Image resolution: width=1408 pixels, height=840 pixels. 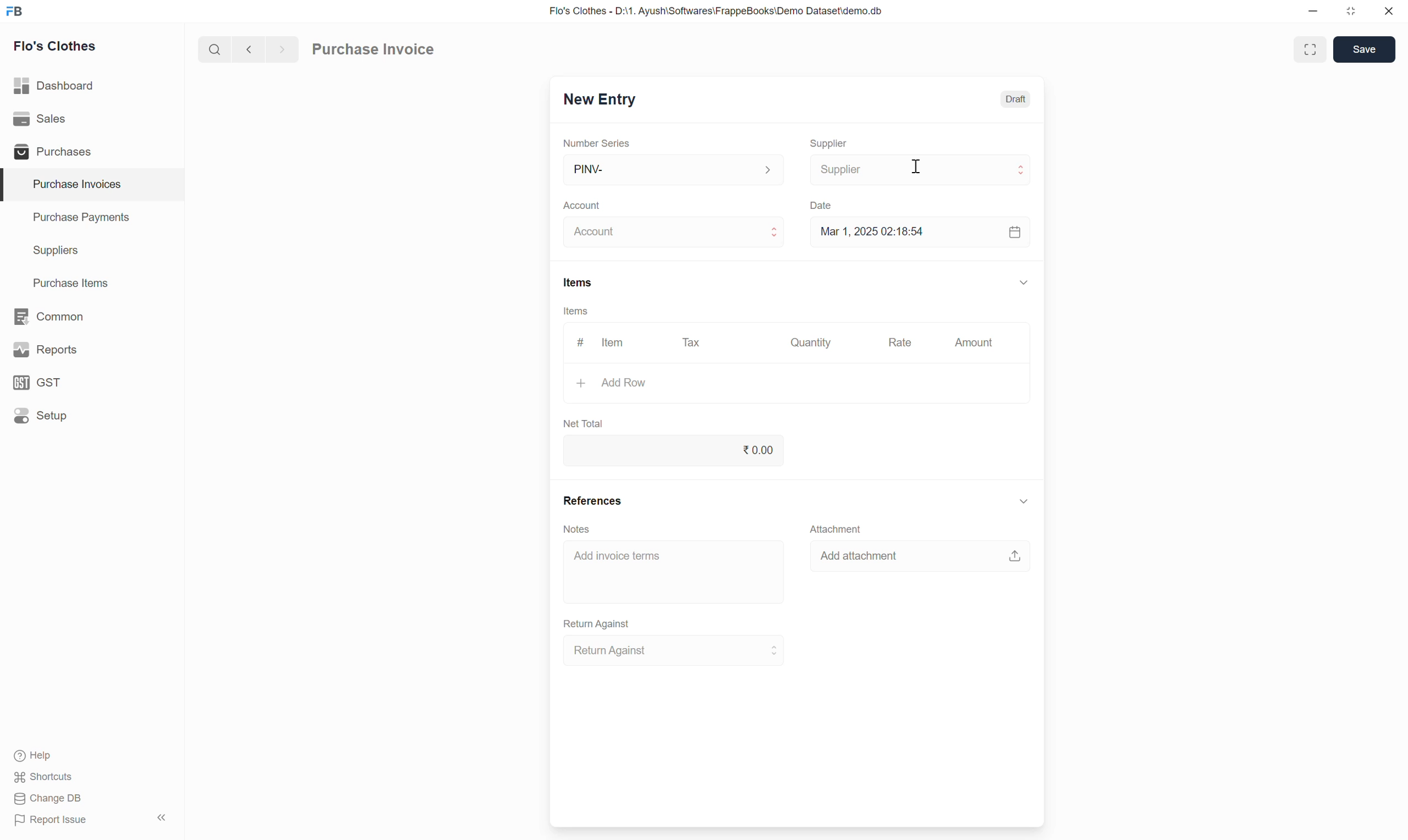 I want to click on Net Total, so click(x=584, y=424).